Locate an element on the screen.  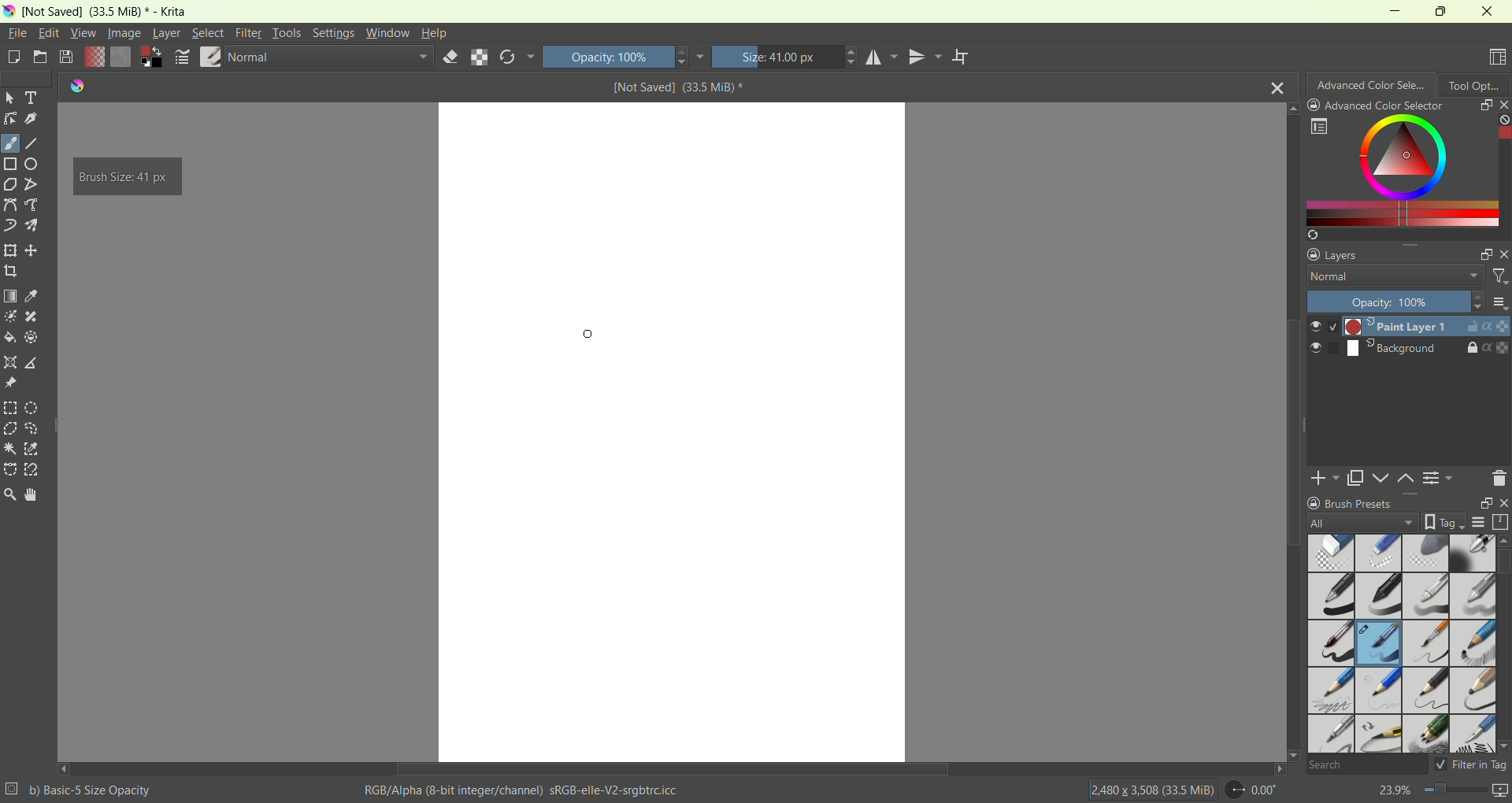
basic 5 opacity is located at coordinates (1380, 646).